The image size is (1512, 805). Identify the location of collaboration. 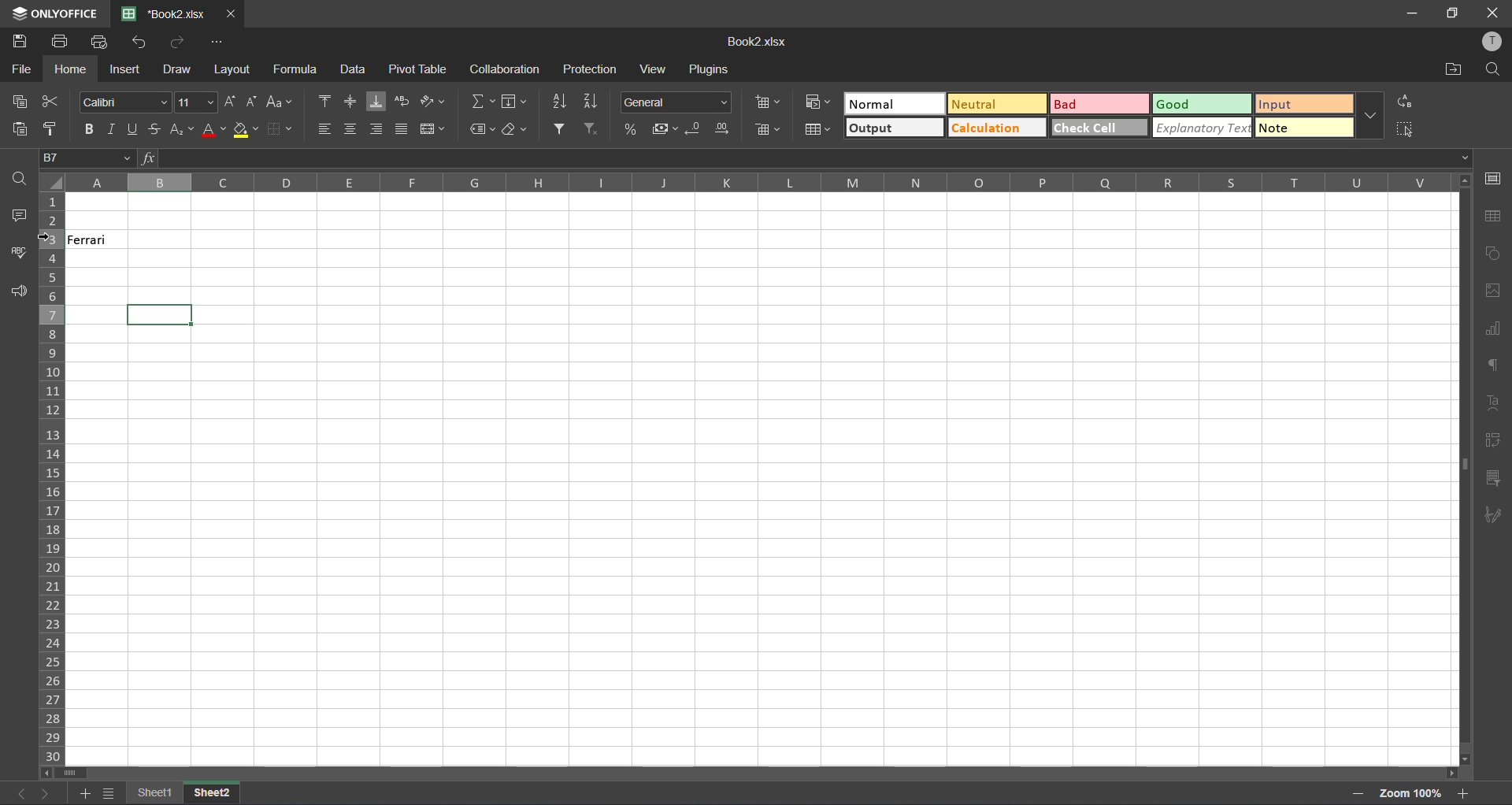
(502, 70).